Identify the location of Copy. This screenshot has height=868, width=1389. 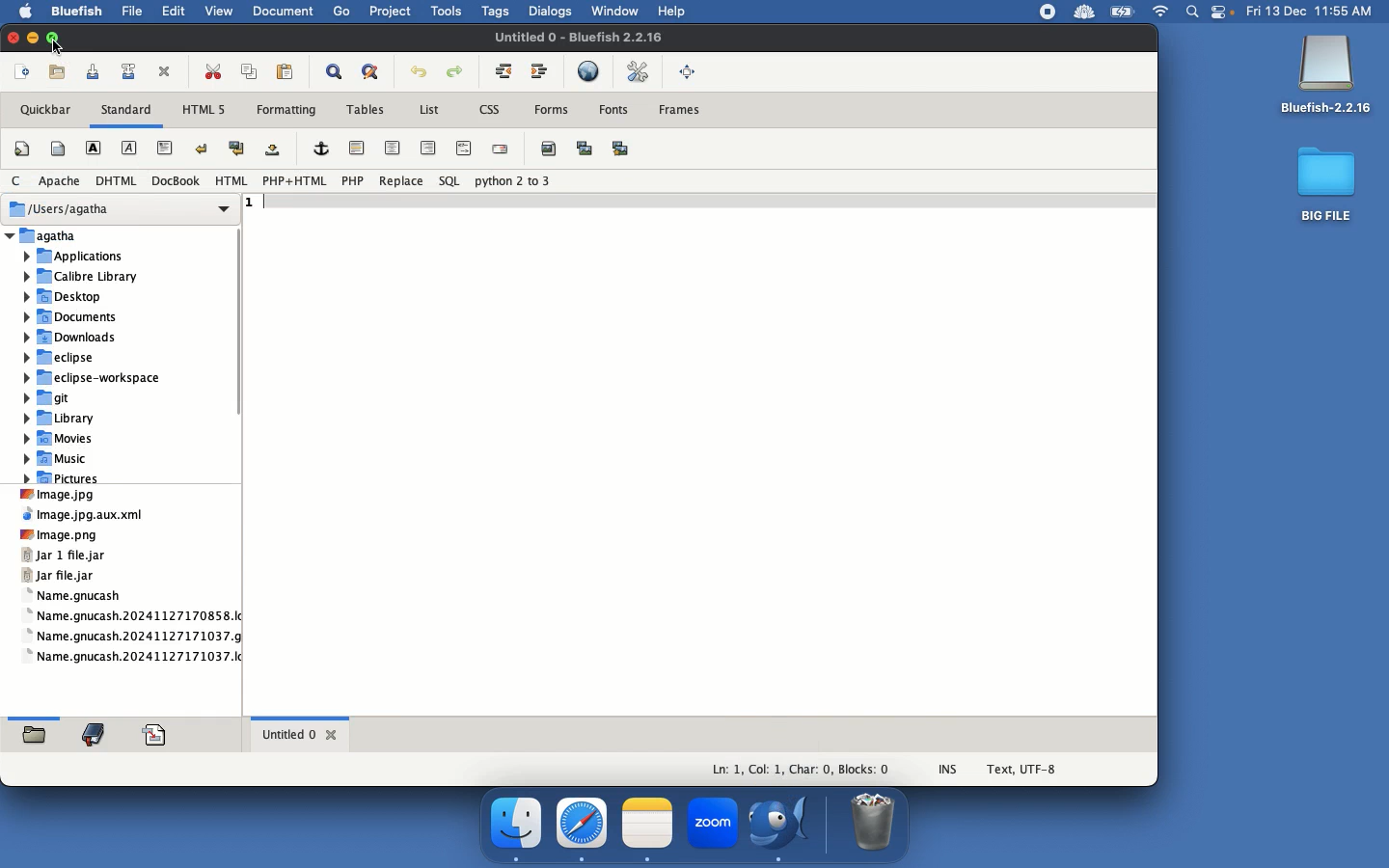
(251, 71).